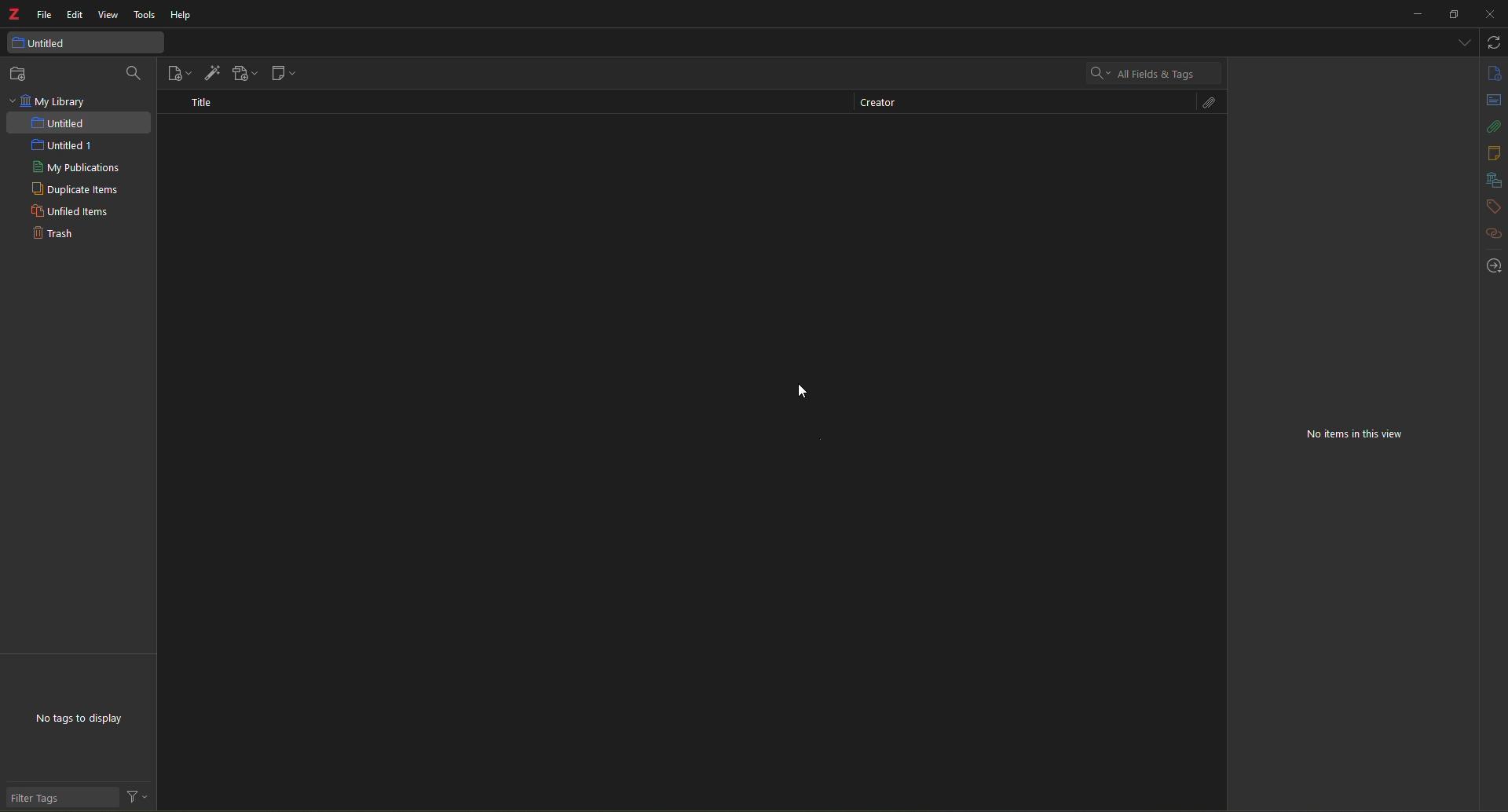 The height and width of the screenshot is (812, 1508). What do you see at coordinates (1496, 99) in the screenshot?
I see `abstract` at bounding box center [1496, 99].